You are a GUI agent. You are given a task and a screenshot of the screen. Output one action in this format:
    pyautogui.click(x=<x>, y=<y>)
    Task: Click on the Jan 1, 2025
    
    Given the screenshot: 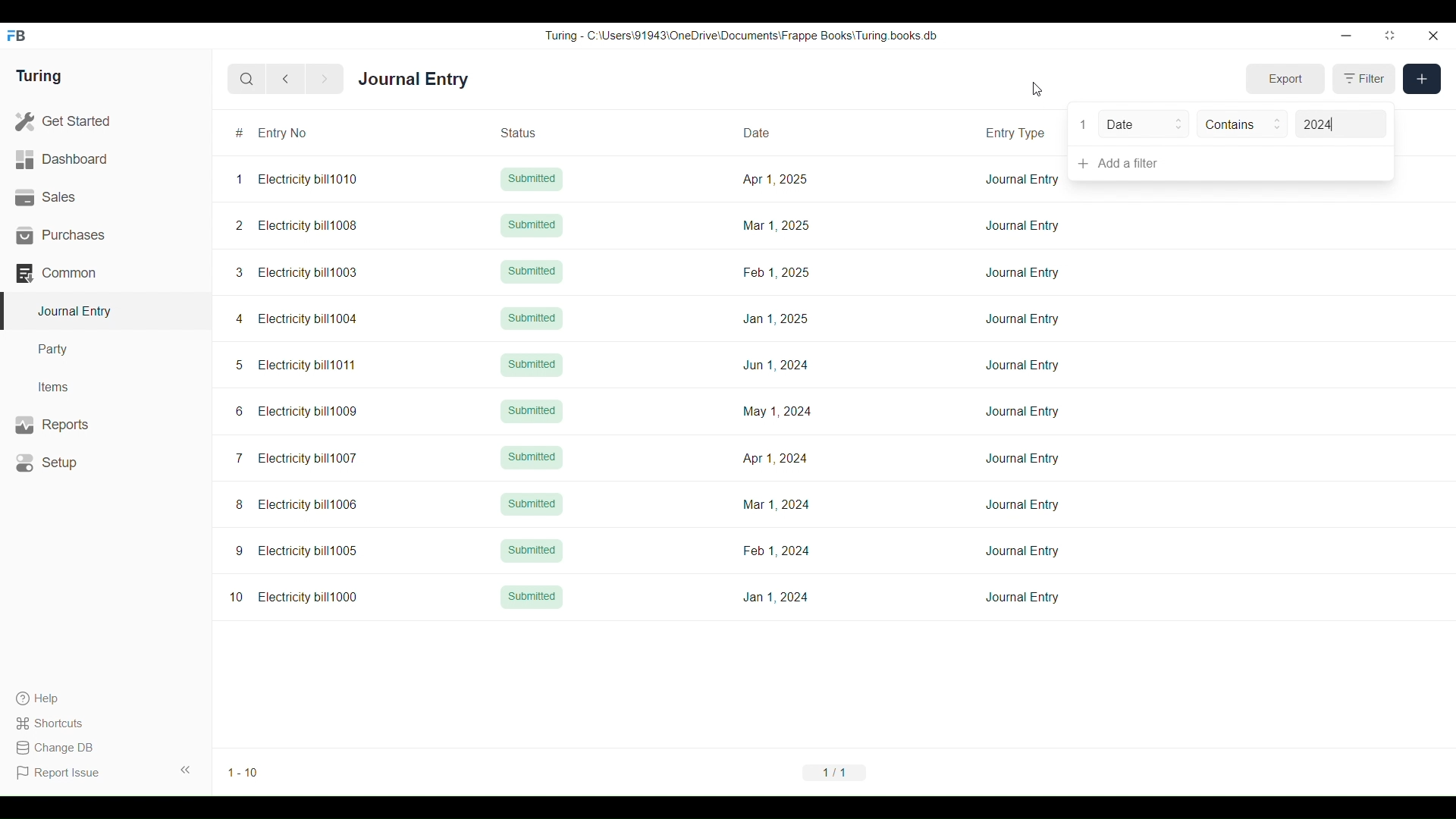 What is the action you would take?
    pyautogui.click(x=776, y=318)
    